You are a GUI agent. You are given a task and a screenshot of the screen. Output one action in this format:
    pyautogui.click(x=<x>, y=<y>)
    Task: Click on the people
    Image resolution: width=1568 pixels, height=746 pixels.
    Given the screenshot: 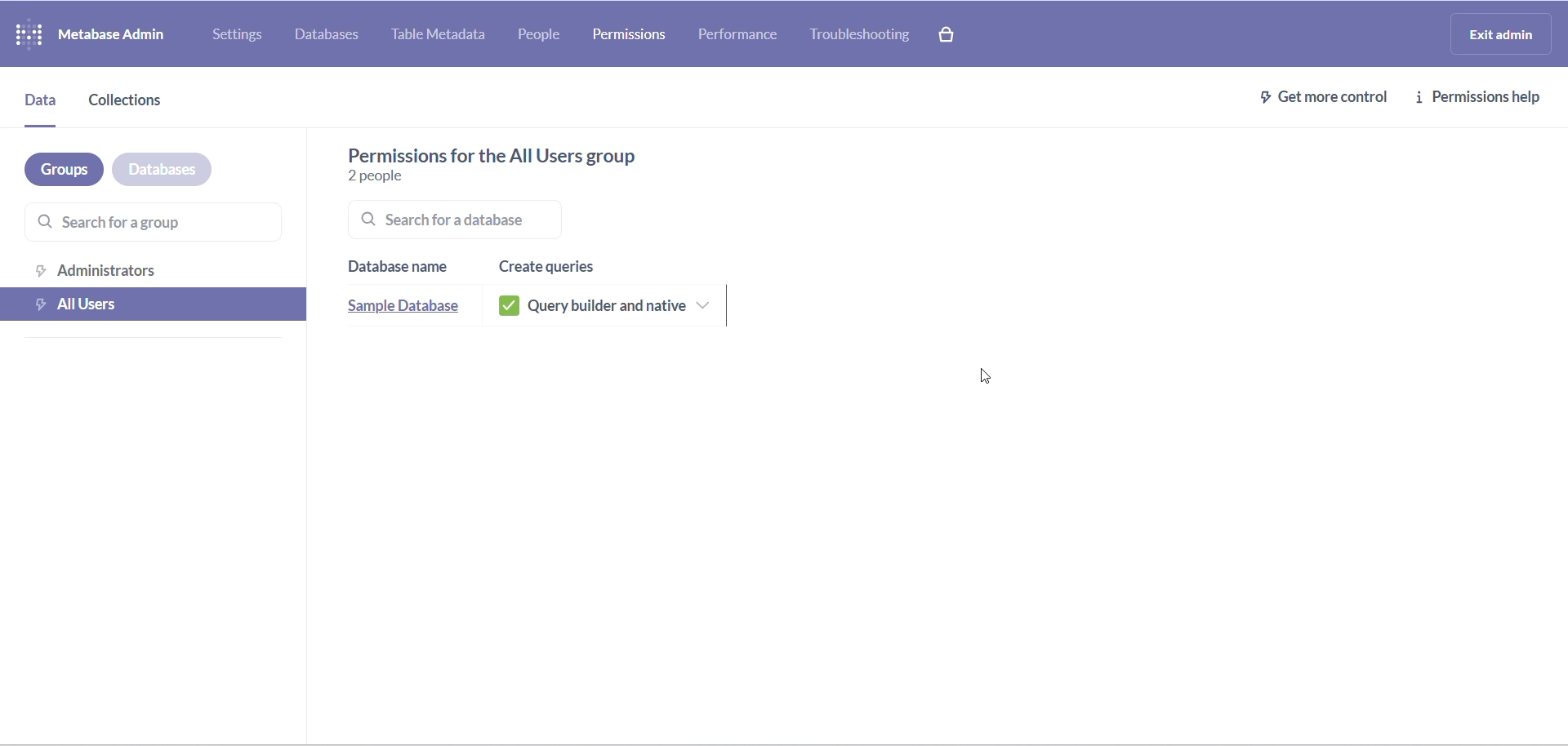 What is the action you would take?
    pyautogui.click(x=550, y=36)
    